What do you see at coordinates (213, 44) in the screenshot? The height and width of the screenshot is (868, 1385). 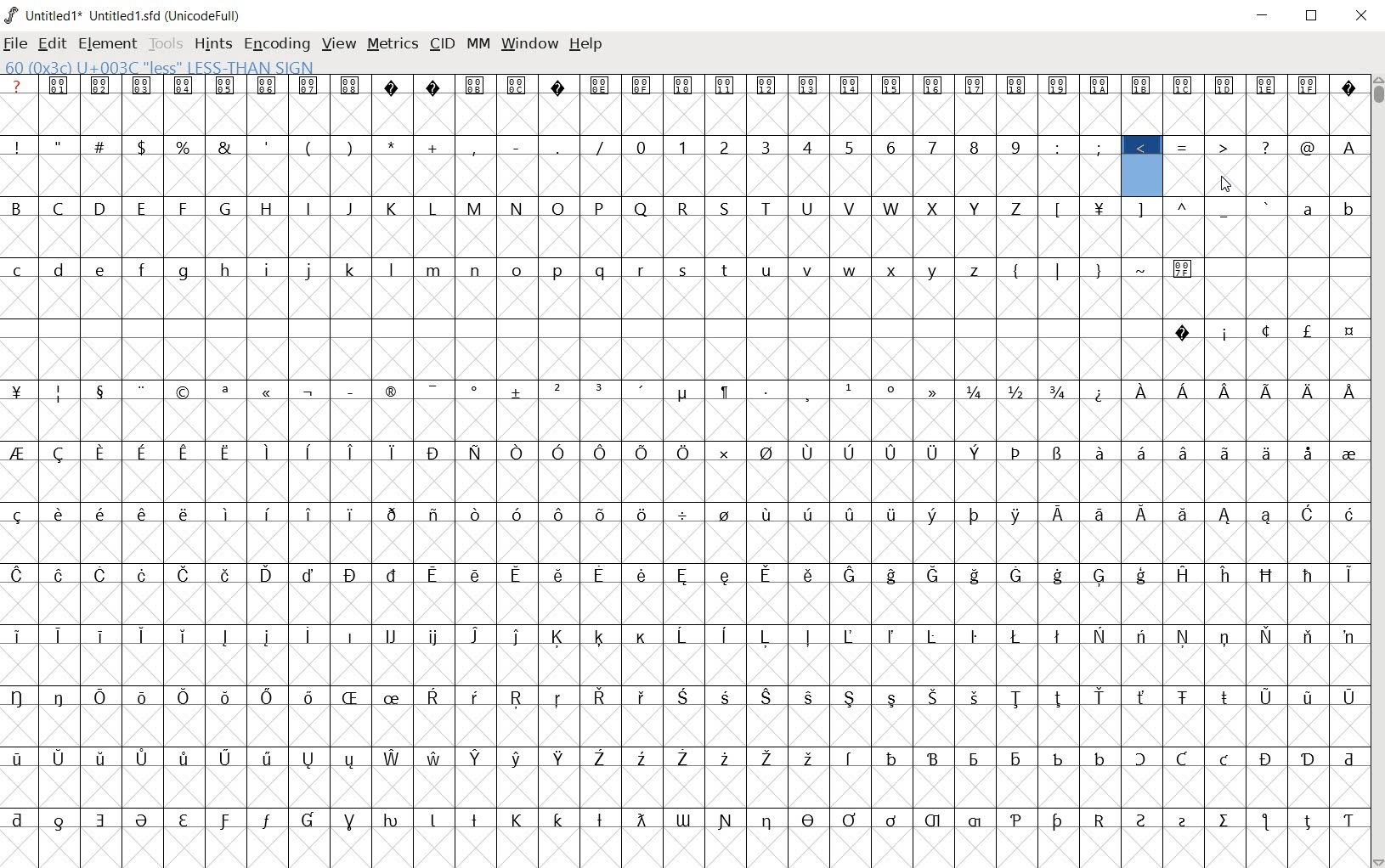 I see `hints` at bounding box center [213, 44].